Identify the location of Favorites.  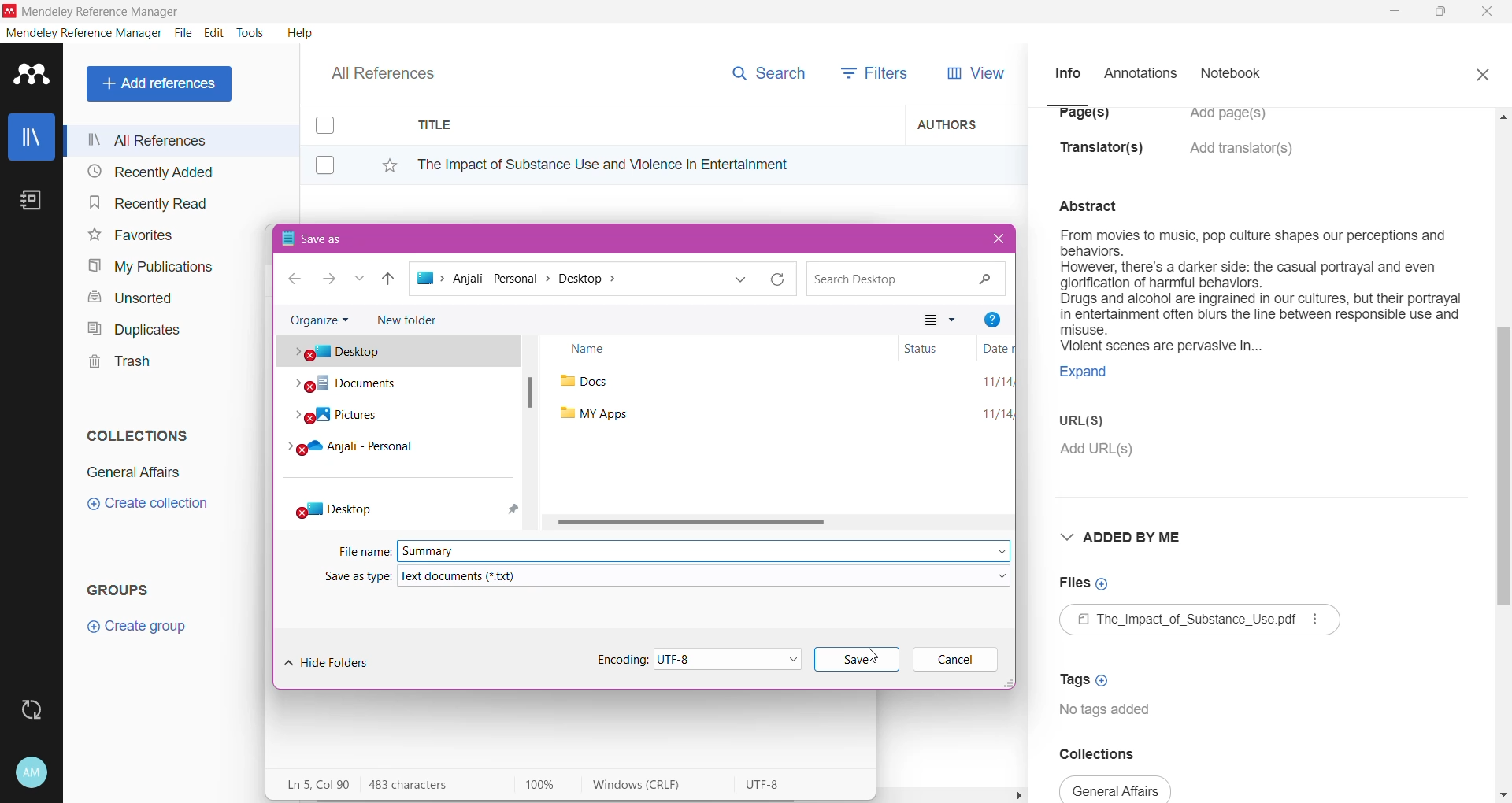
(129, 235).